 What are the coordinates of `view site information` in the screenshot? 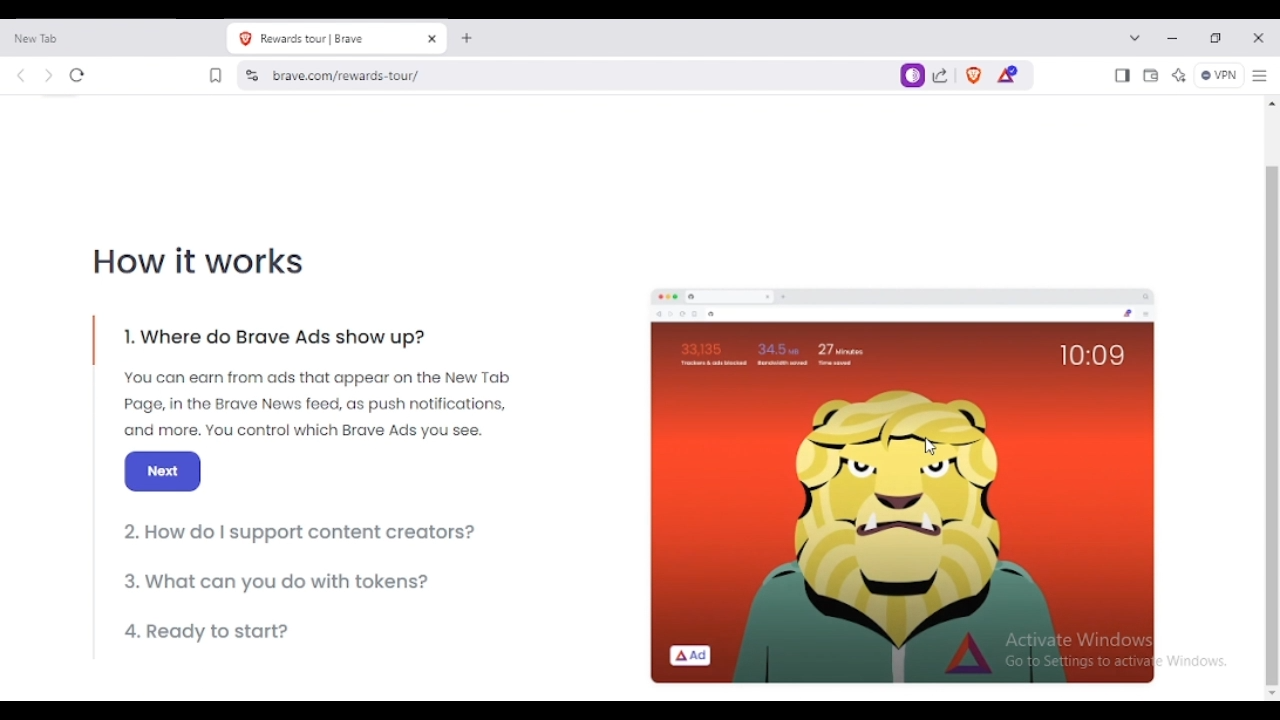 It's located at (253, 75).